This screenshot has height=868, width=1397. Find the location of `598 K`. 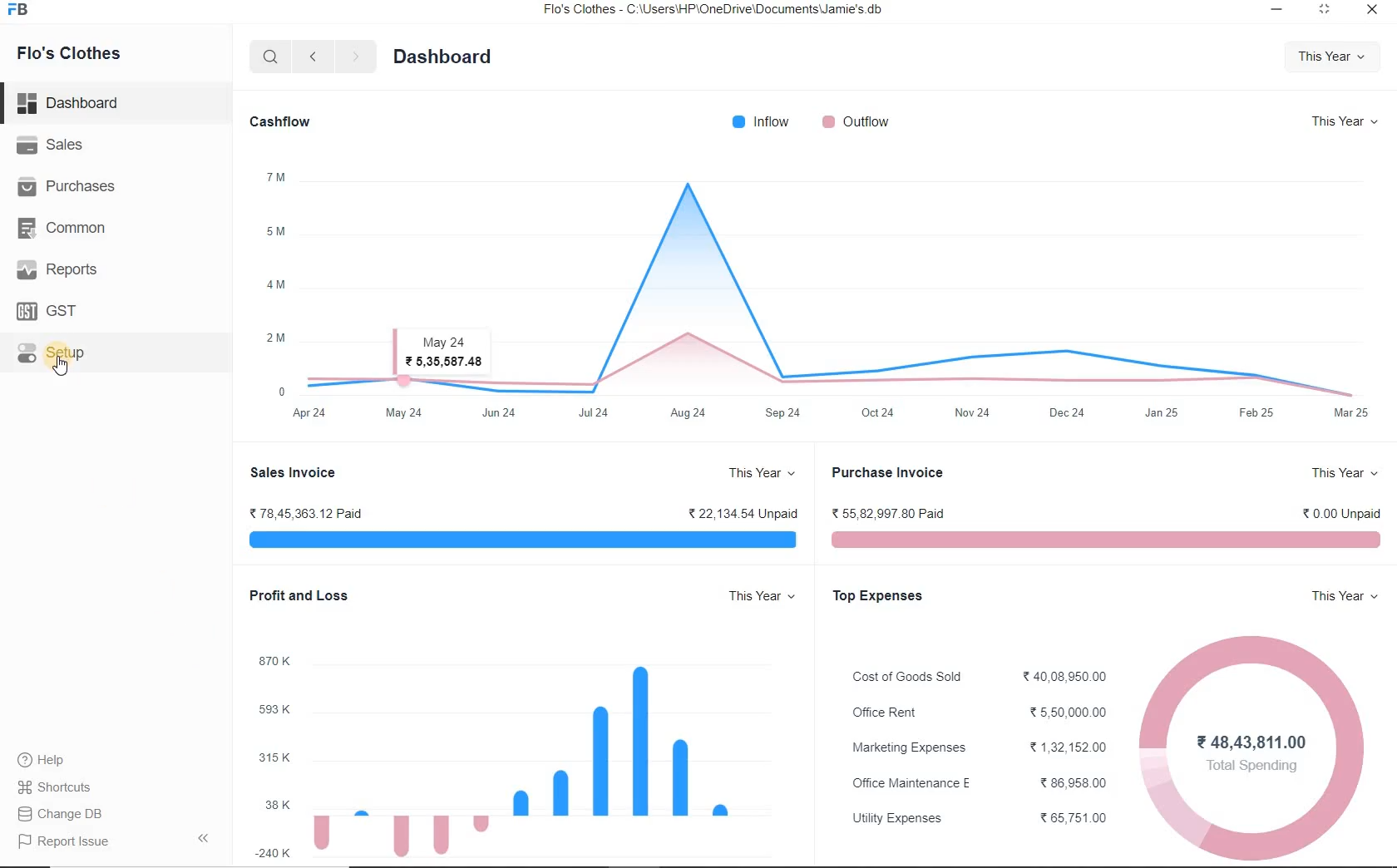

598 K is located at coordinates (272, 712).